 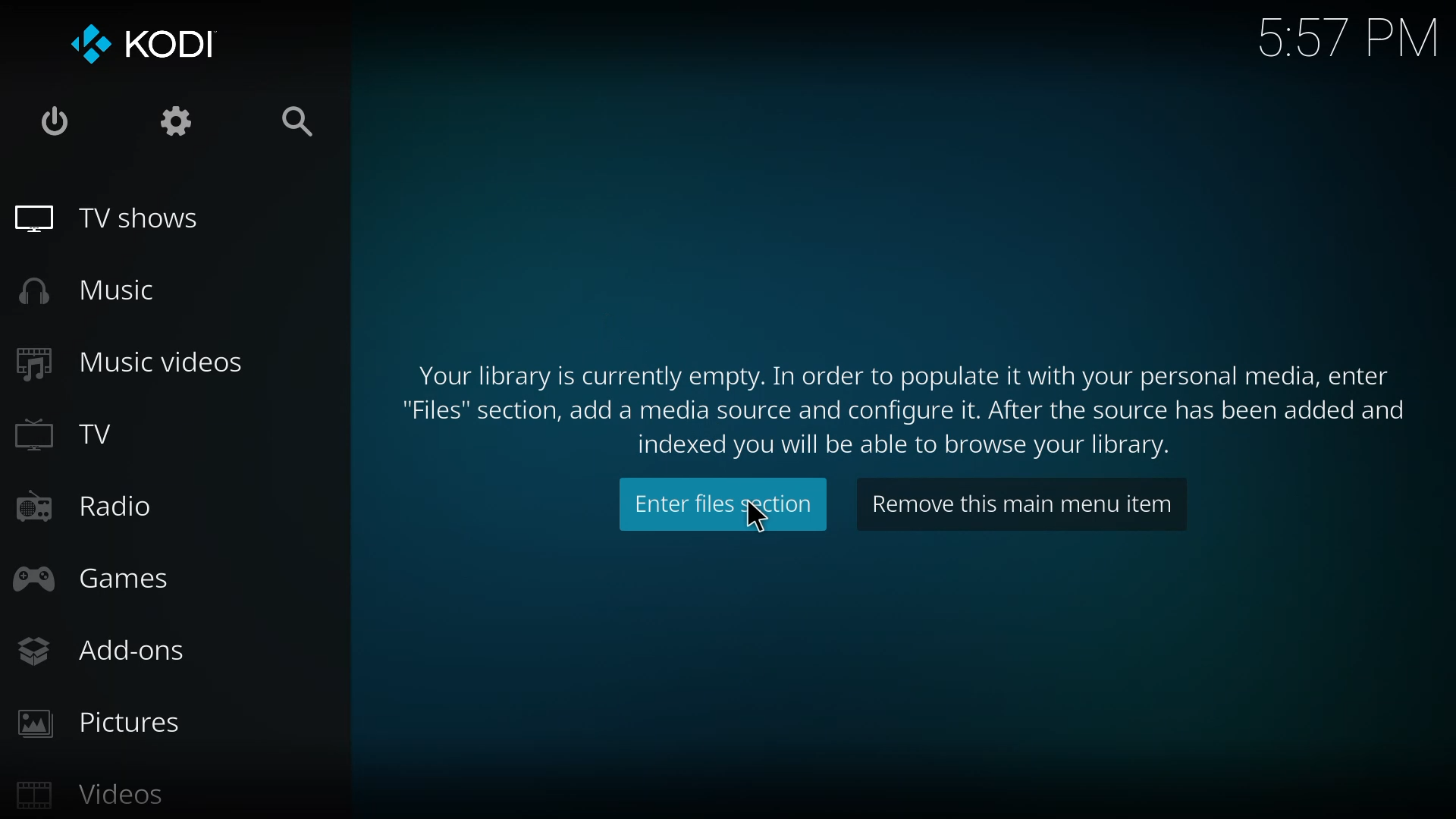 I want to click on tv, so click(x=73, y=433).